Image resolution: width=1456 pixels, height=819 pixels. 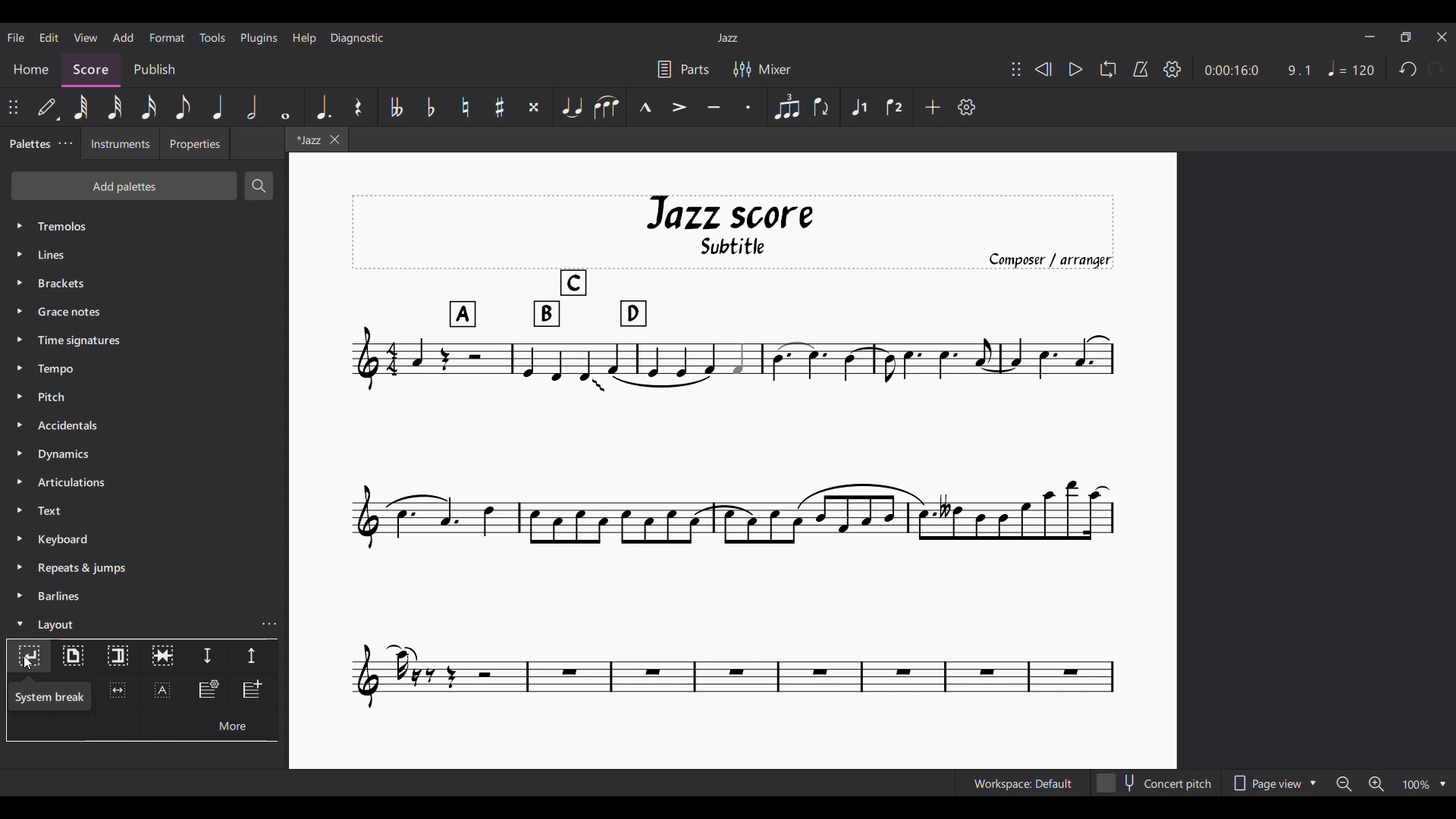 I want to click on Loop playback, so click(x=1109, y=69).